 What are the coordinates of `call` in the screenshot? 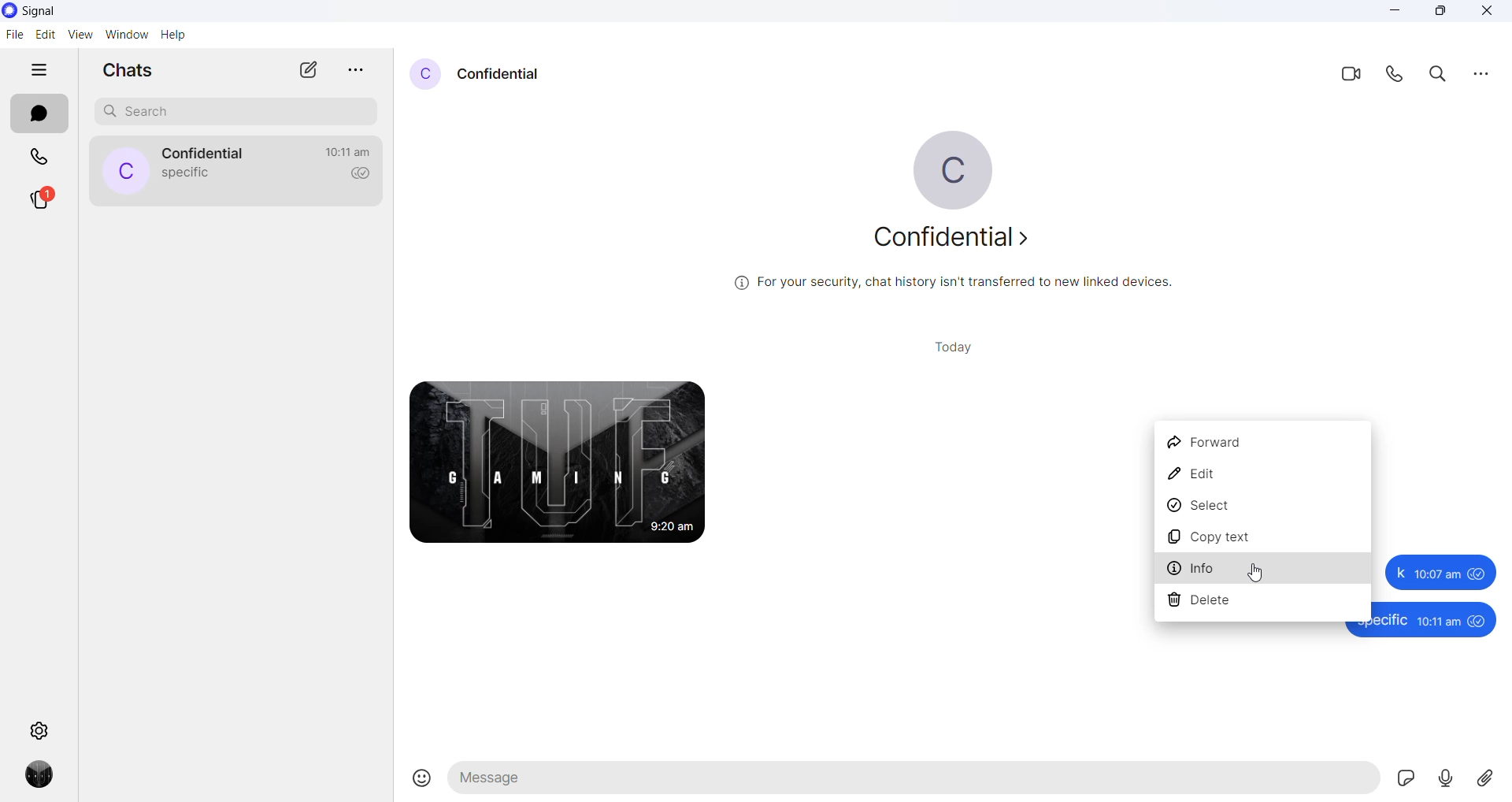 It's located at (1398, 76).